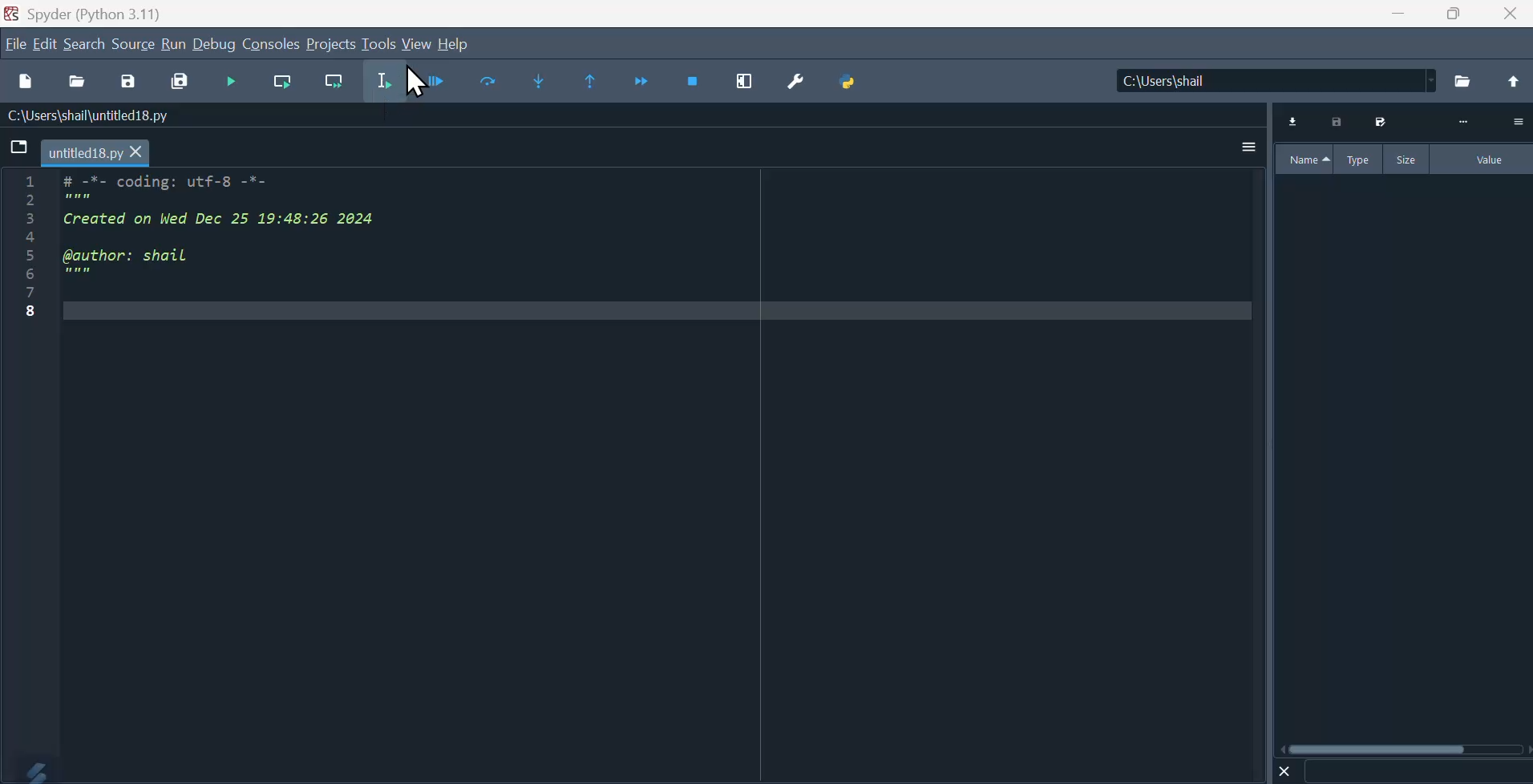 The width and height of the screenshot is (1533, 784). I want to click on Find next, so click(536, 80).